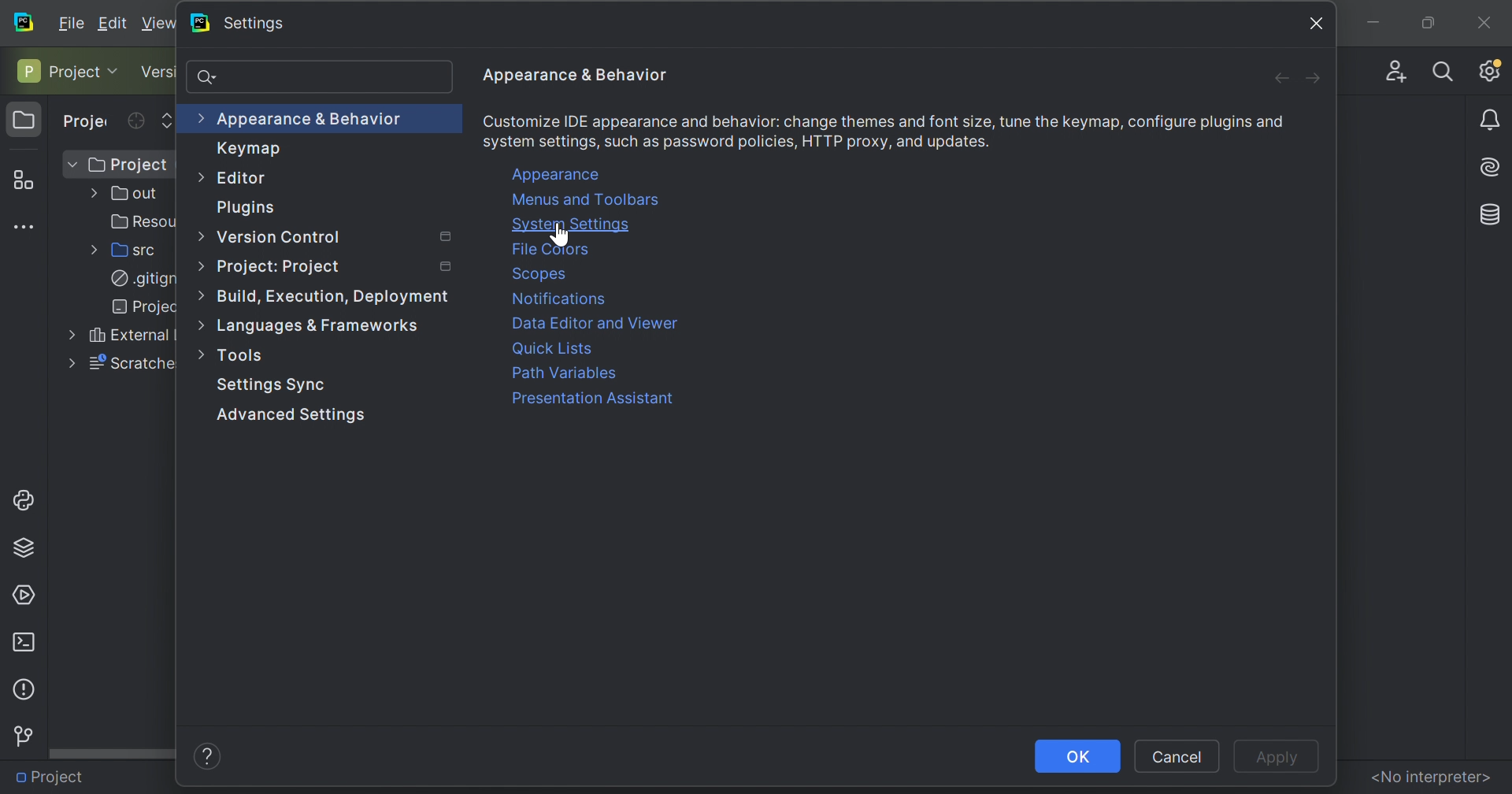 Image resolution: width=1512 pixels, height=794 pixels. I want to click on Cancel, so click(1177, 757).